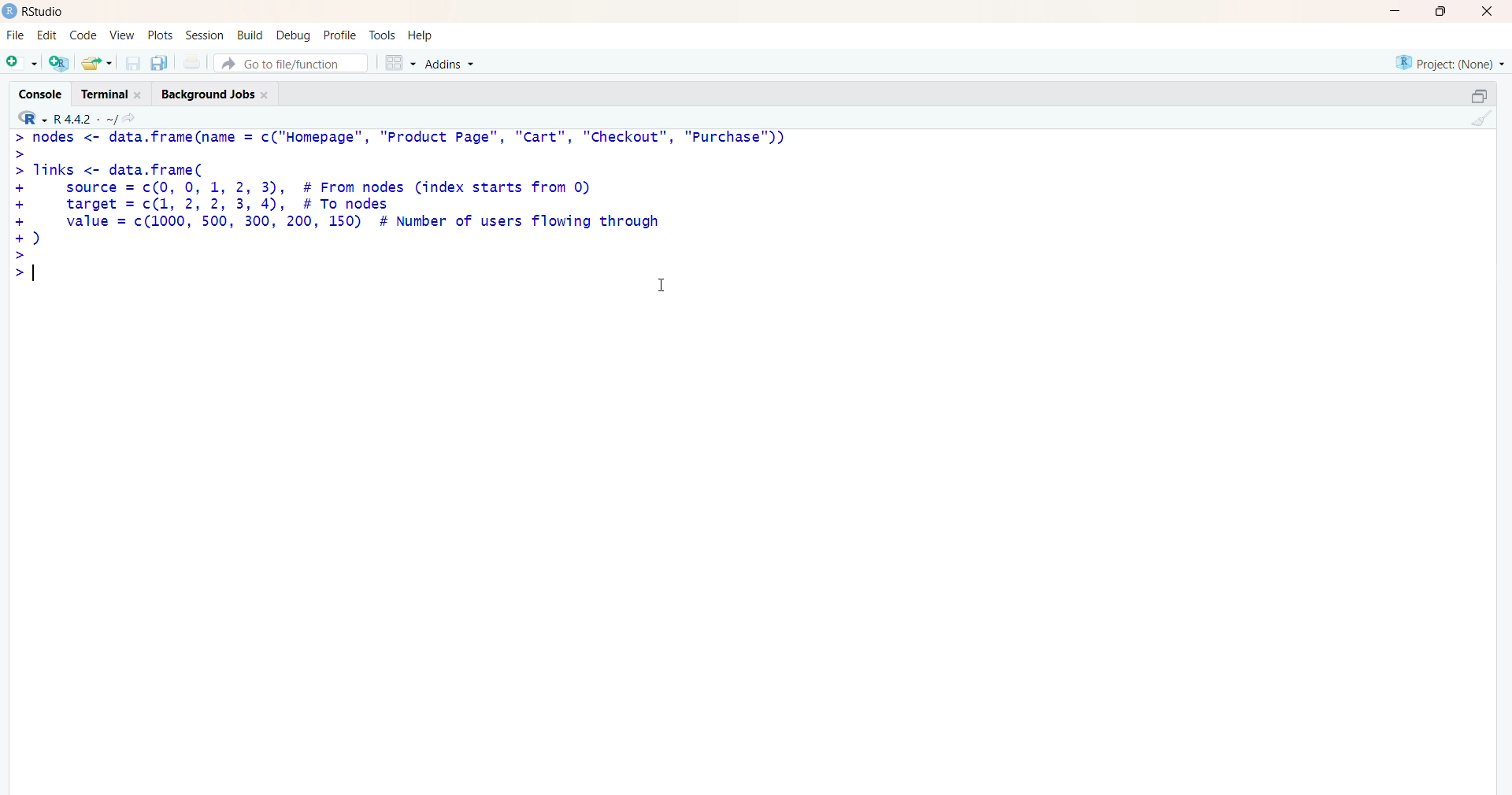 The width and height of the screenshot is (1512, 795). Describe the element at coordinates (247, 35) in the screenshot. I see `build` at that location.